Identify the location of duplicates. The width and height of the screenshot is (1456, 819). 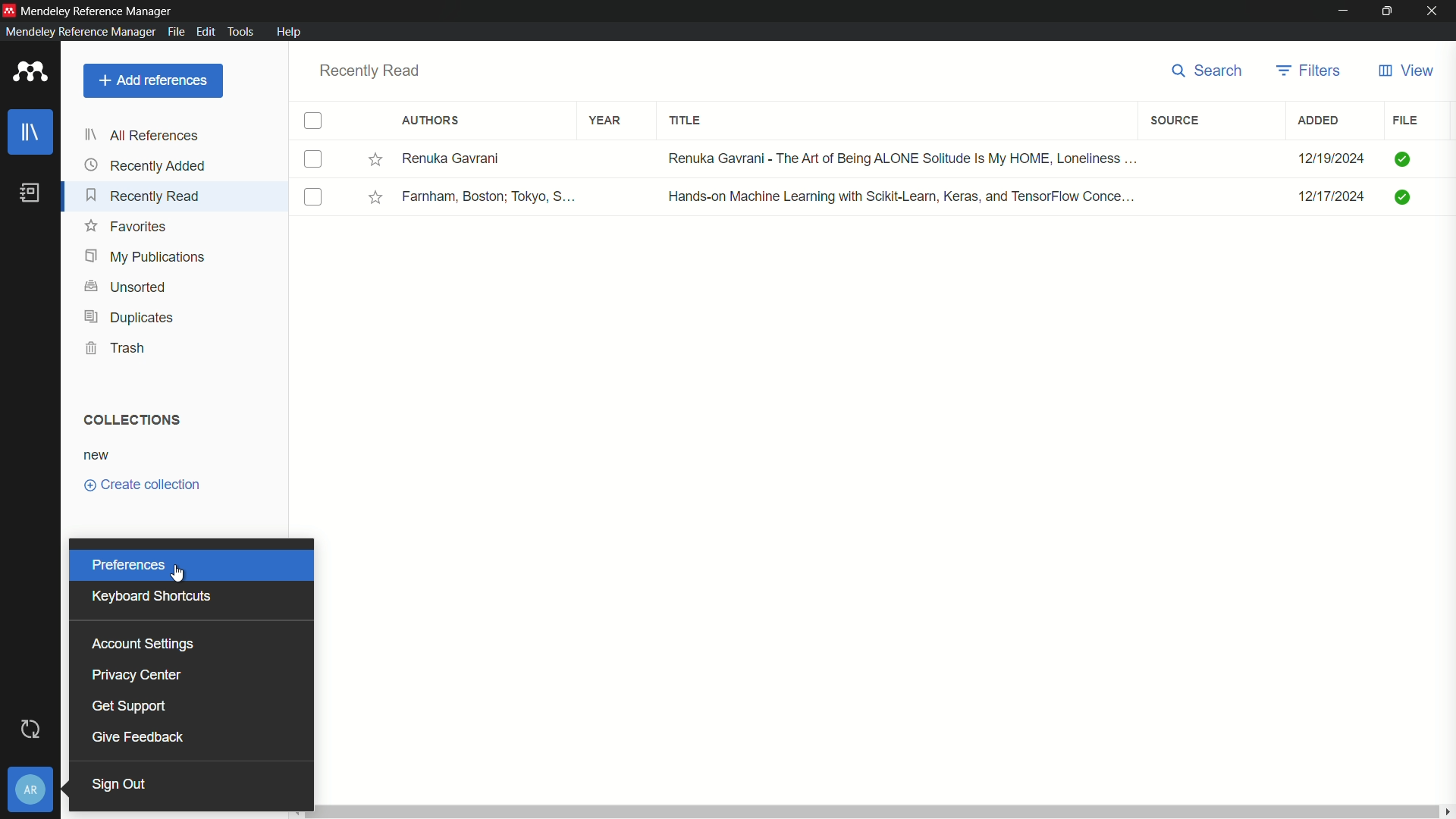
(129, 318).